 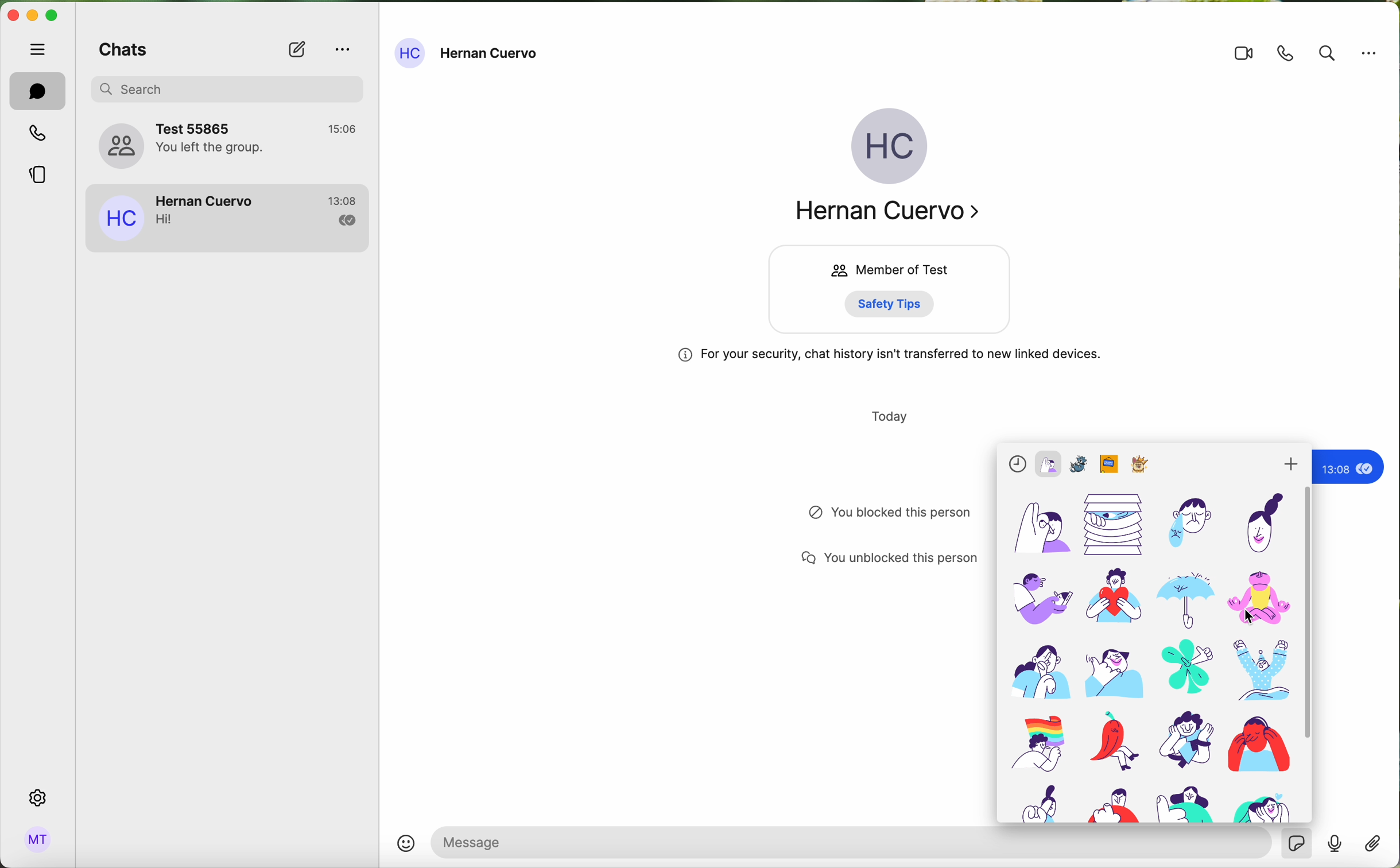 What do you see at coordinates (342, 48) in the screenshot?
I see `options` at bounding box center [342, 48].